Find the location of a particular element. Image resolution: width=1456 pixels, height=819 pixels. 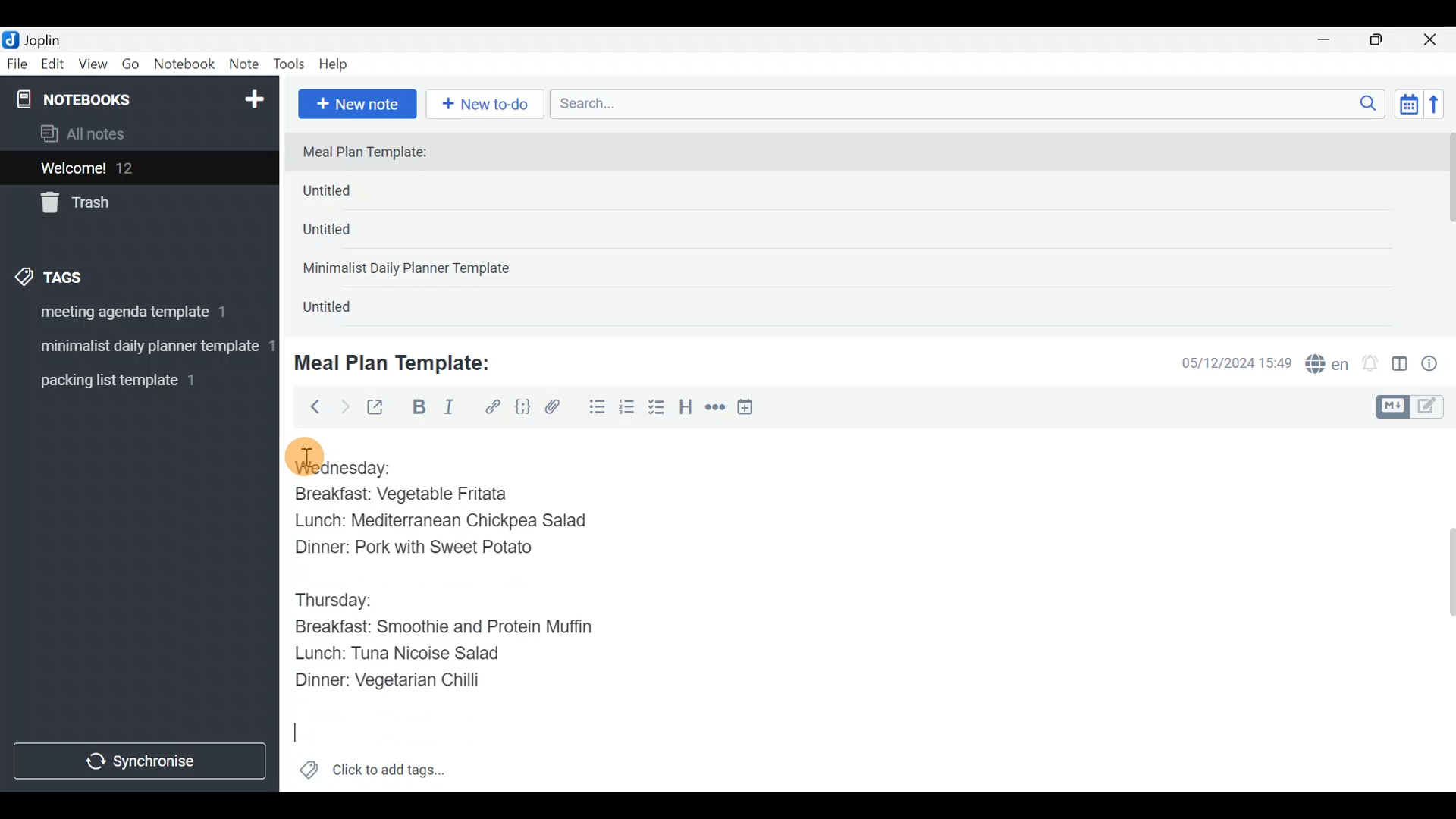

Trash is located at coordinates (130, 204).